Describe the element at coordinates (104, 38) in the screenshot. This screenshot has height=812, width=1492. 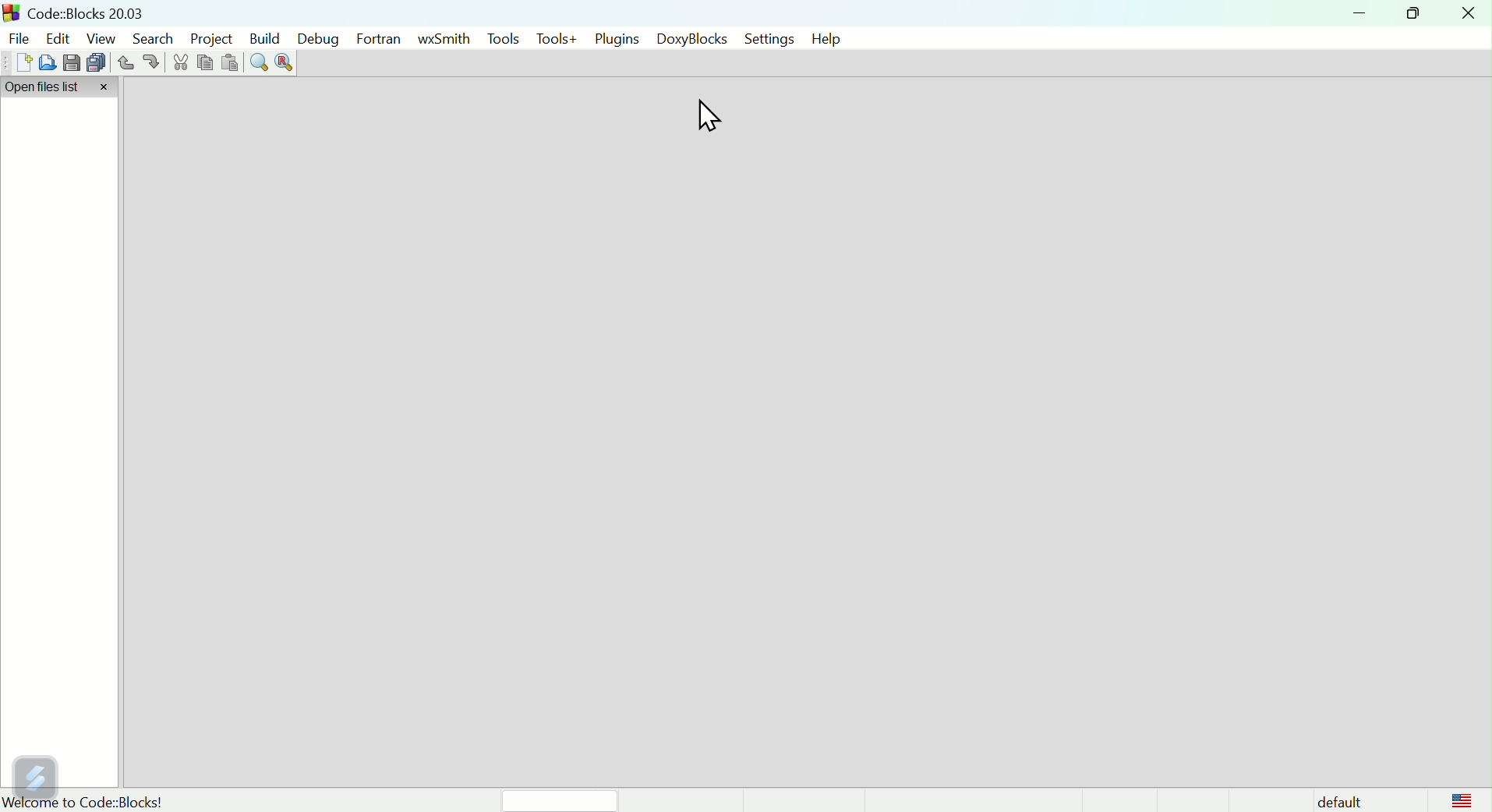
I see `View` at that location.